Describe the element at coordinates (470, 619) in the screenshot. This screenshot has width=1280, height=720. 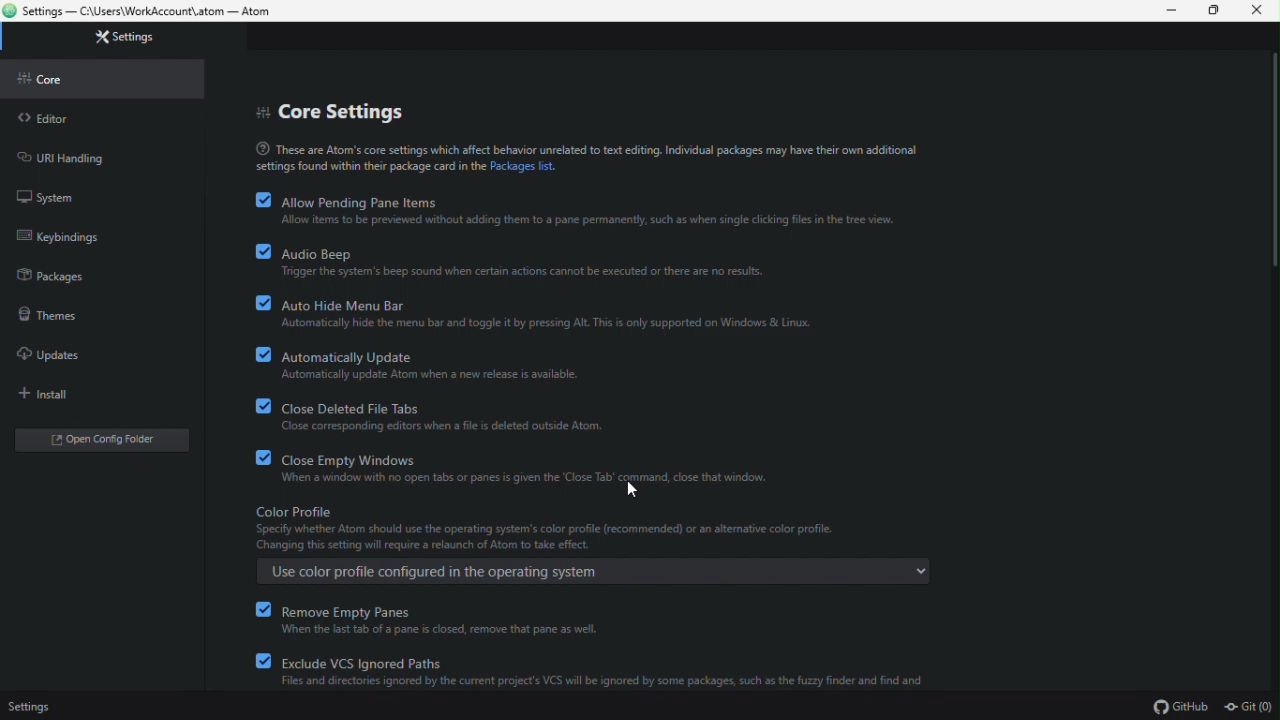
I see `remove empty panes` at that location.